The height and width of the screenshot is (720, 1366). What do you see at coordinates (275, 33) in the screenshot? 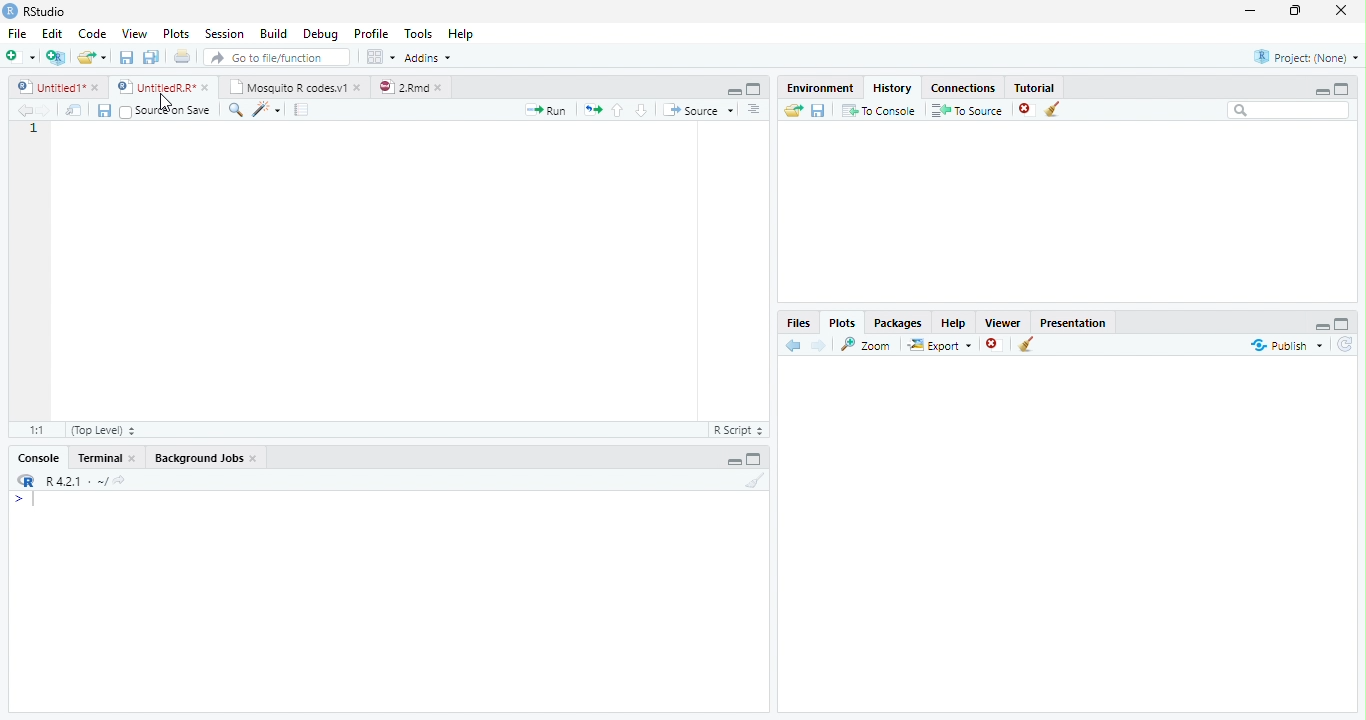
I see `Build` at bounding box center [275, 33].